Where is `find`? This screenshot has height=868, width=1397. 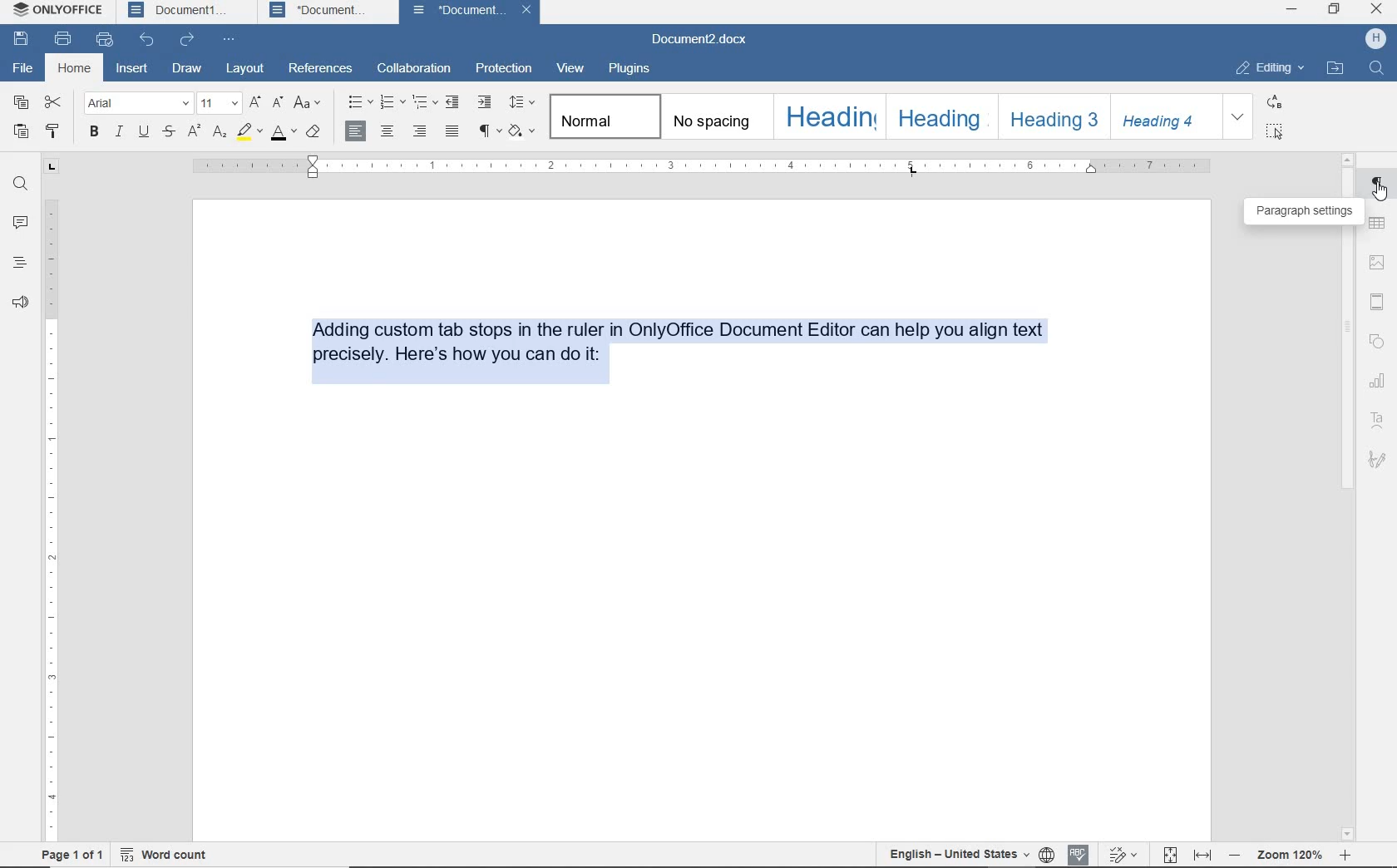 find is located at coordinates (21, 185).